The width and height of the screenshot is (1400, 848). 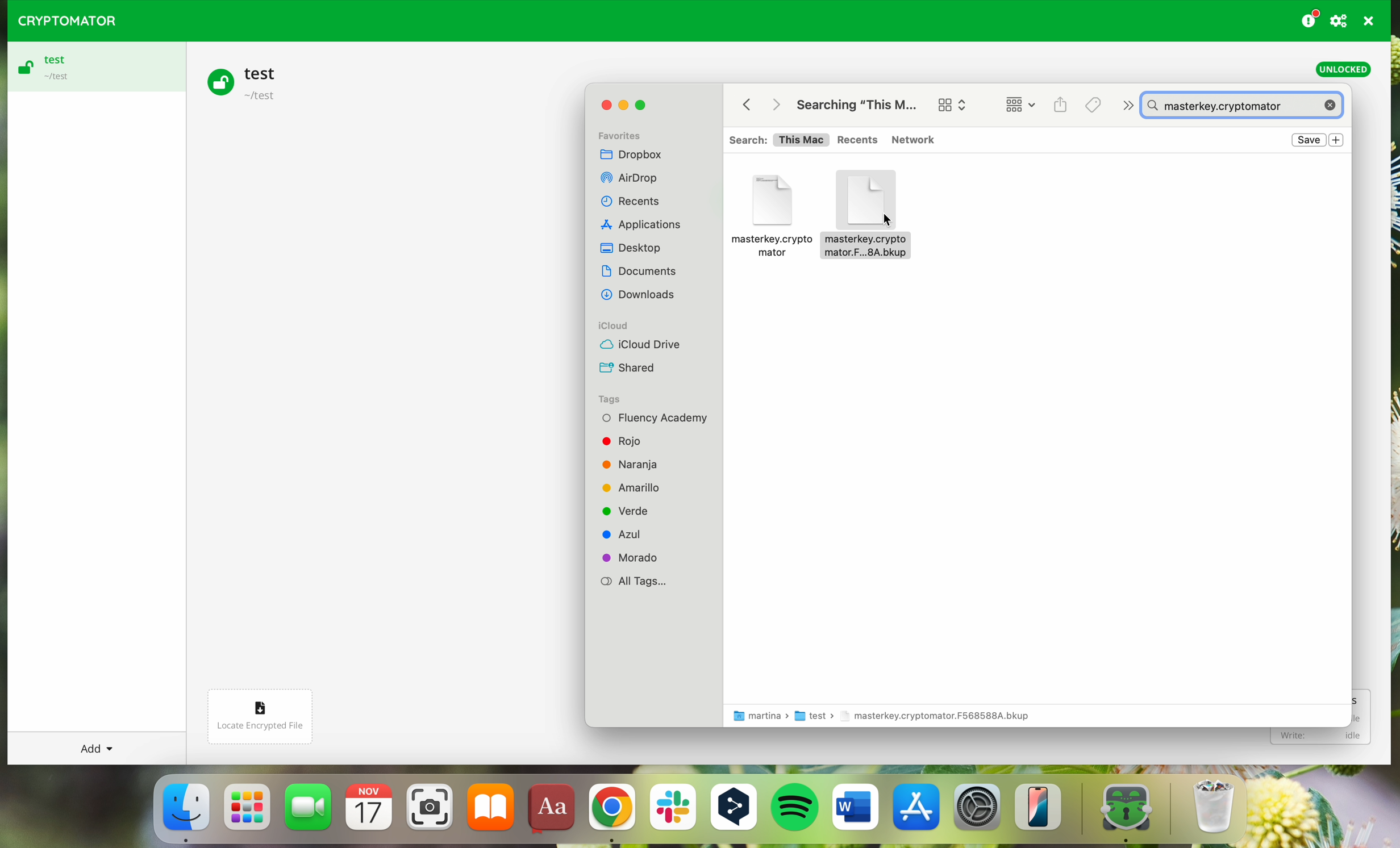 I want to click on masterkey.cryptomator backup folders, so click(x=770, y=211).